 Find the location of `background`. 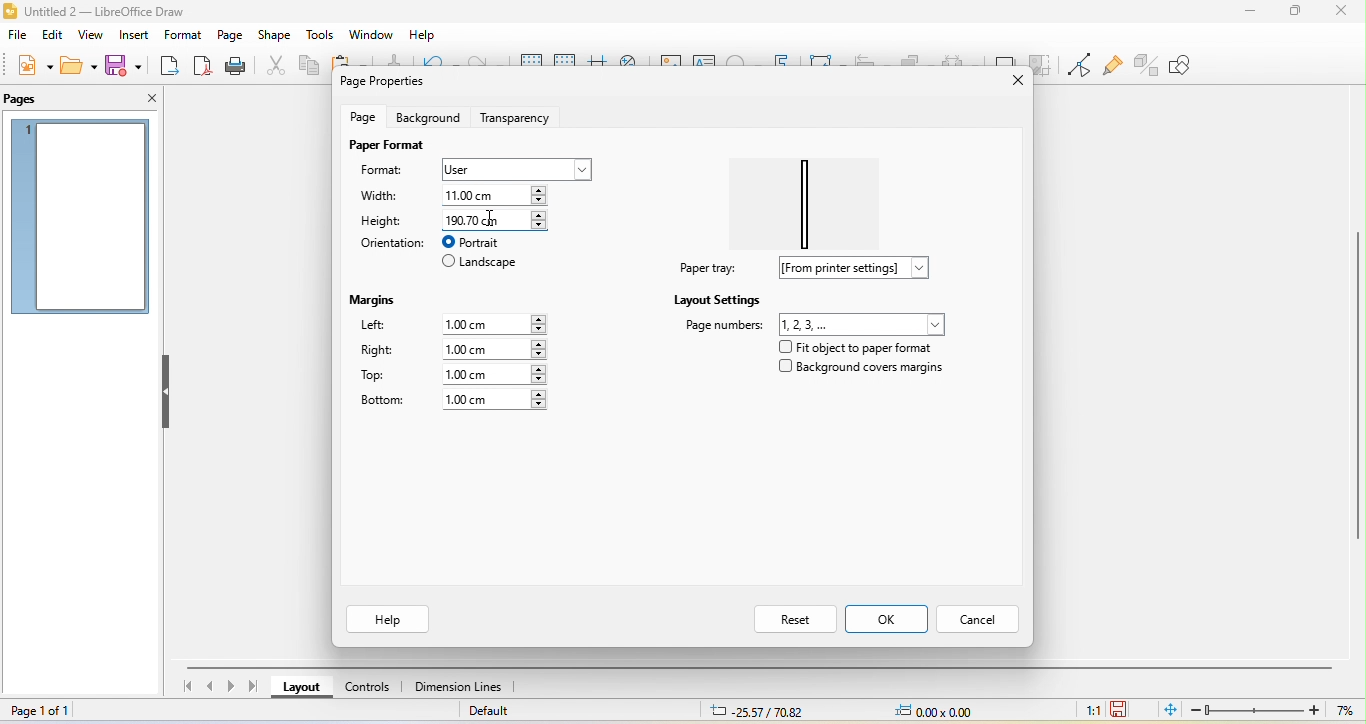

background is located at coordinates (427, 117).